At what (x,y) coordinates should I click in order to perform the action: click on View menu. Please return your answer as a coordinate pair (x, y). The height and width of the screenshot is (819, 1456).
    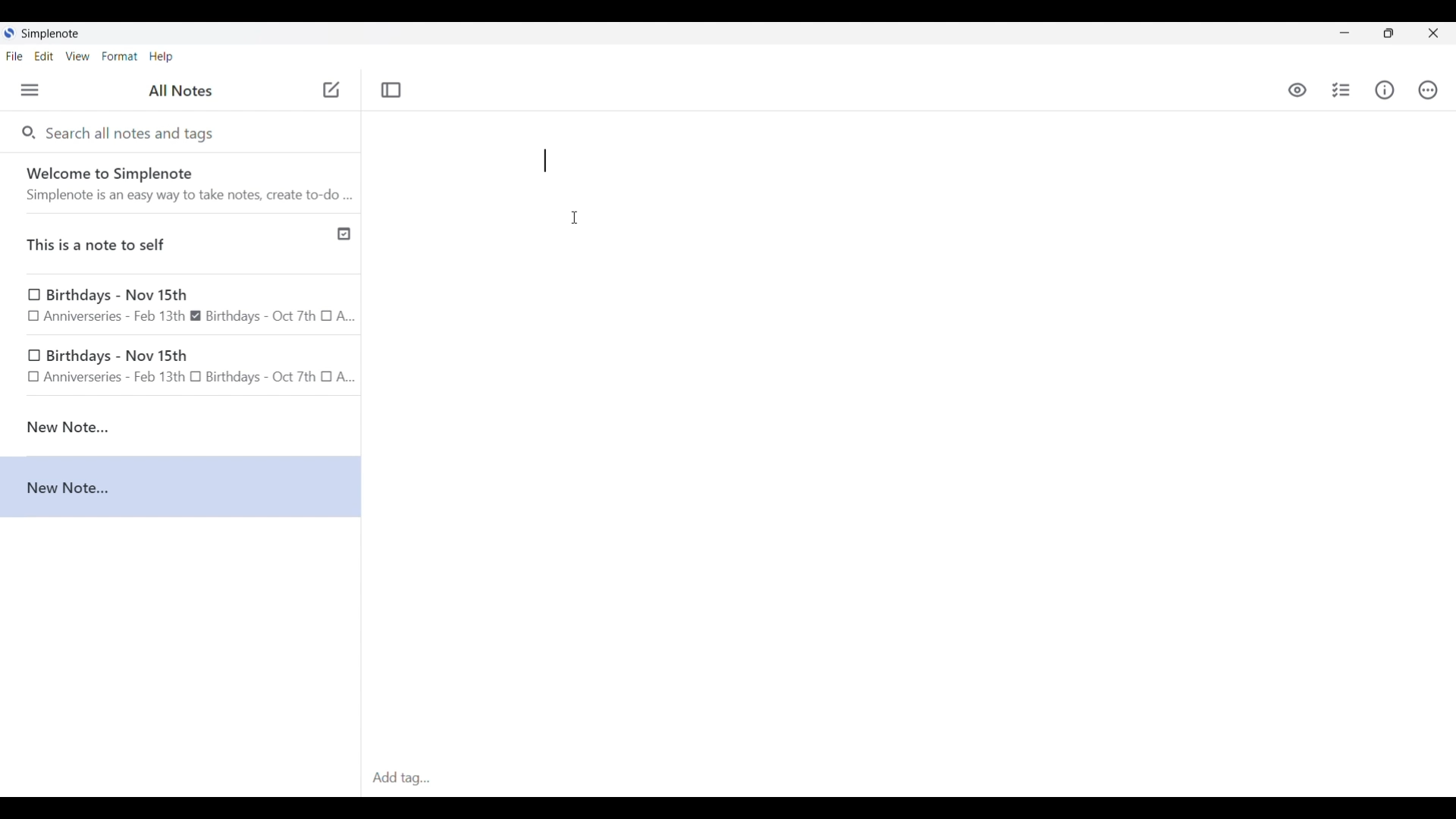
    Looking at the image, I should click on (78, 55).